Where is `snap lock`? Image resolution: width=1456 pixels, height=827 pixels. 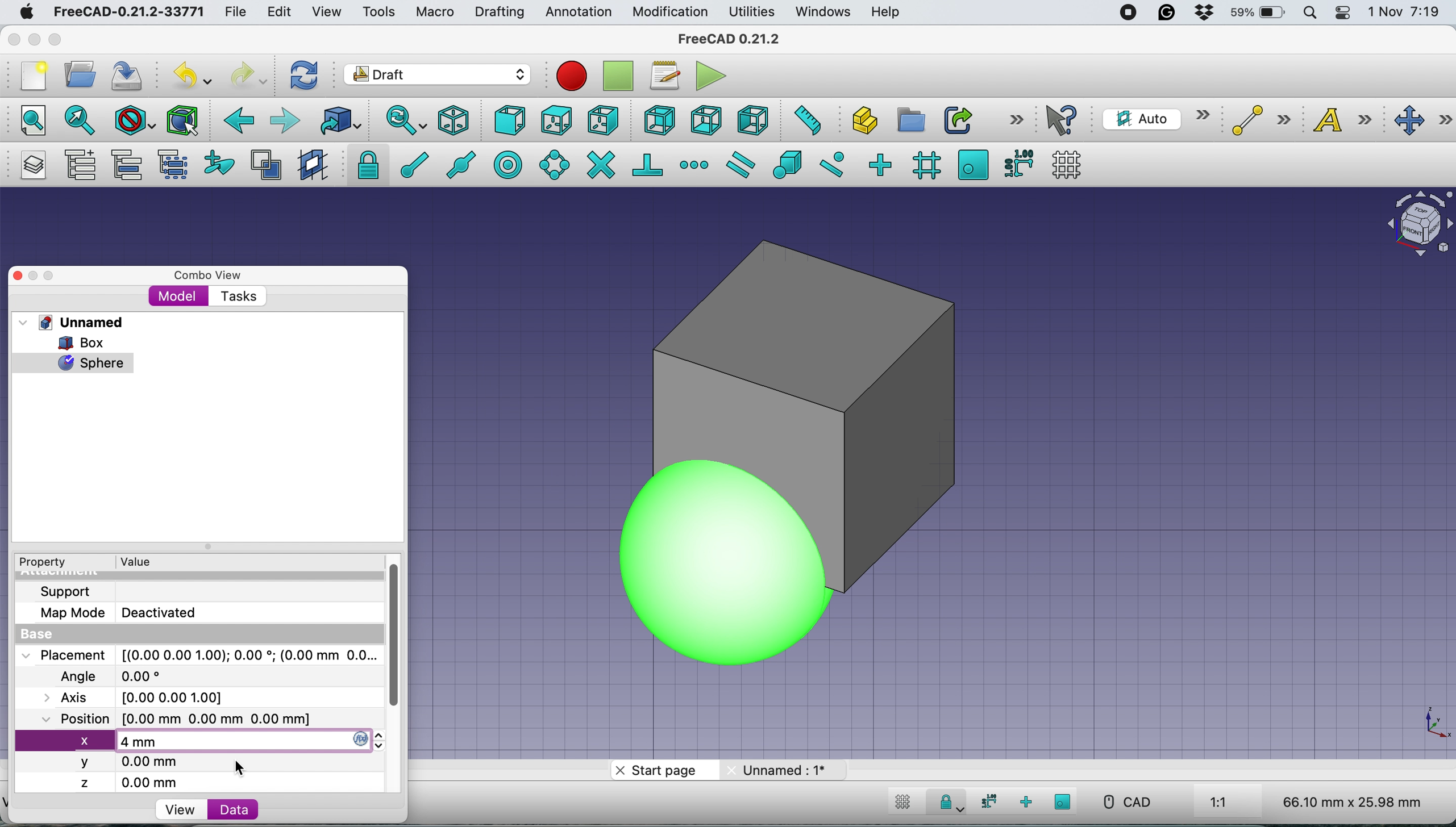
snap lock is located at coordinates (364, 164).